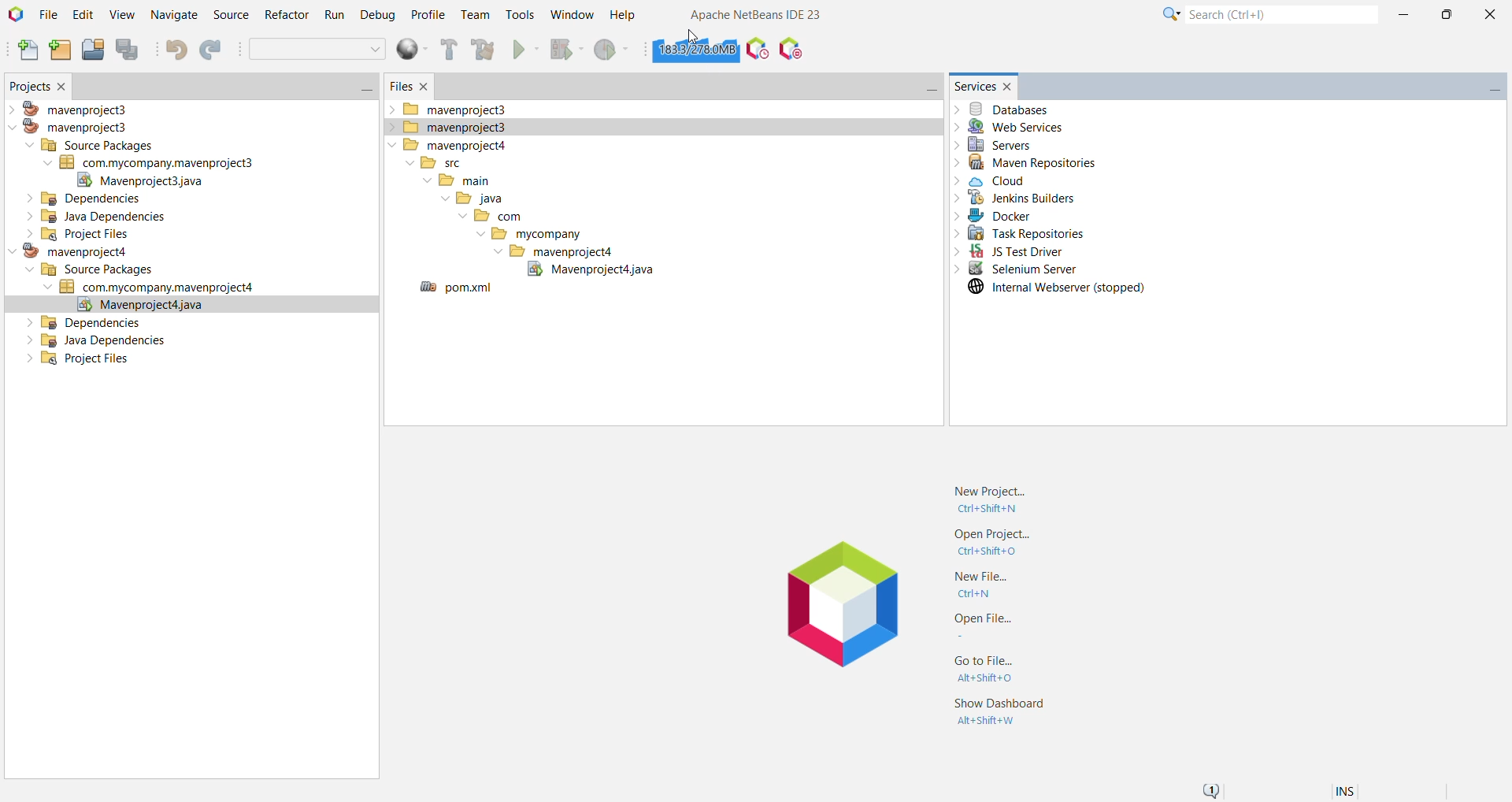 This screenshot has width=1512, height=802. What do you see at coordinates (758, 51) in the screenshot?
I see `Profile the IDE` at bounding box center [758, 51].